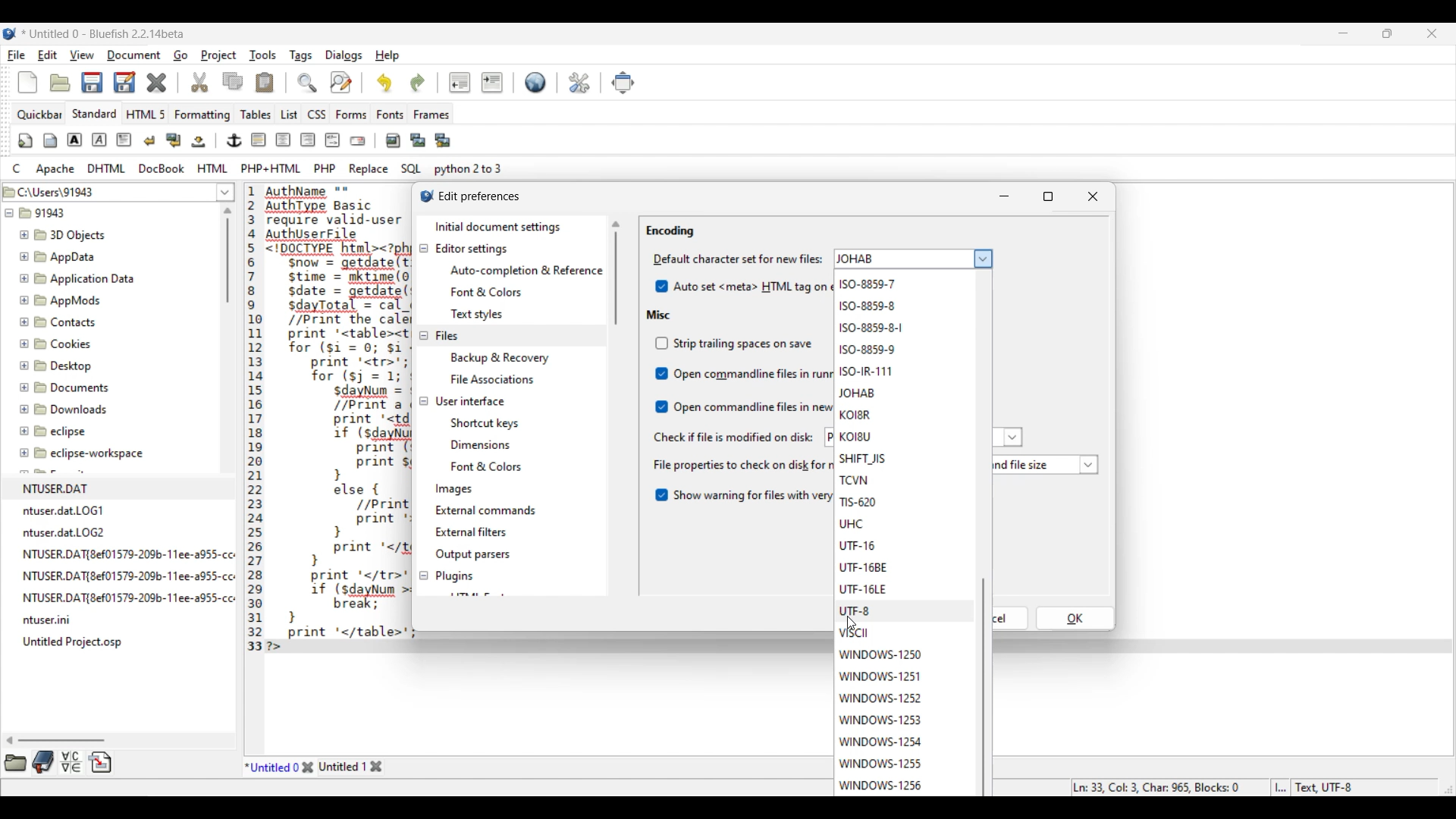 The image size is (1456, 819). I want to click on External filters, so click(474, 532).